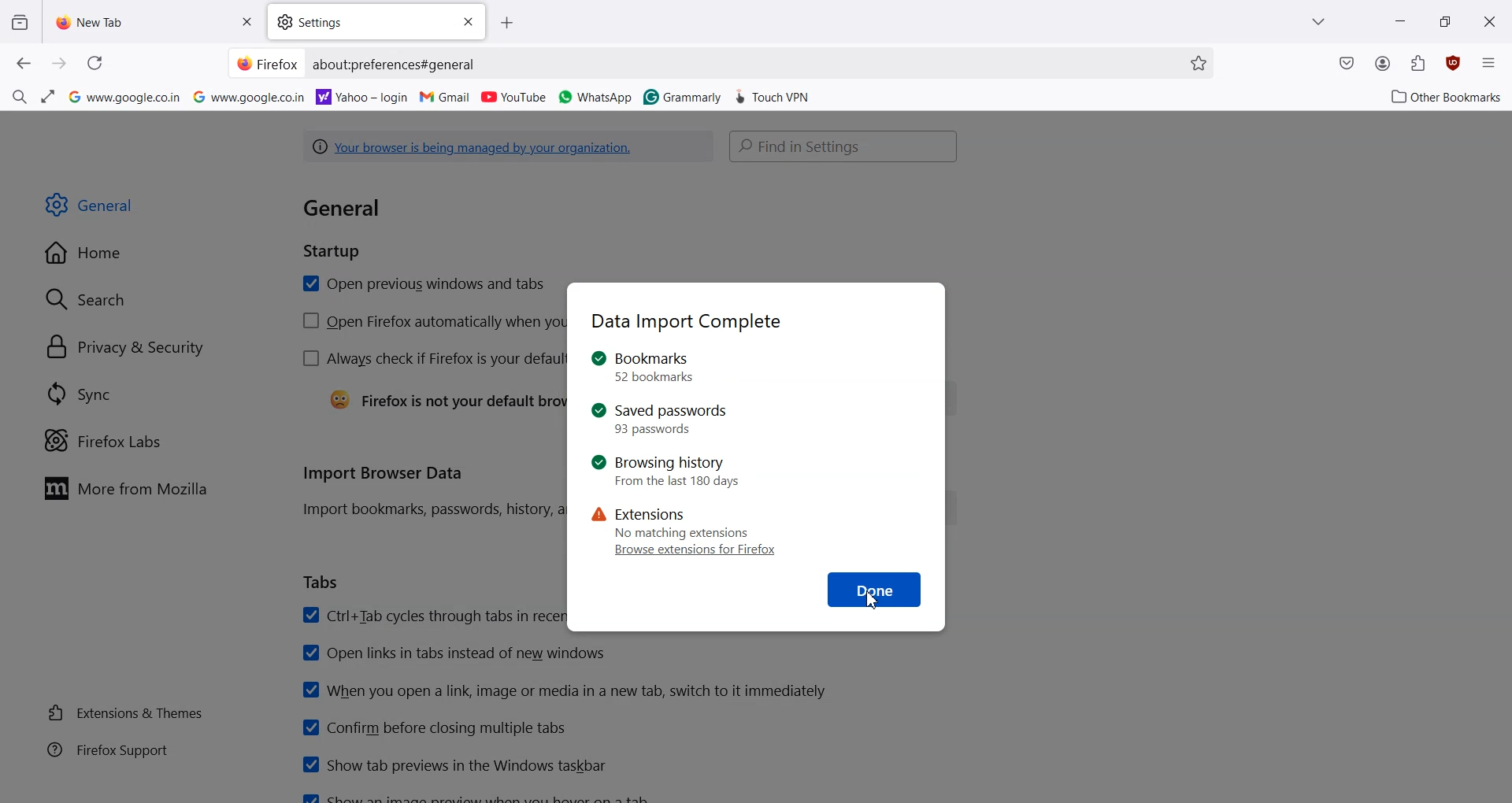 The image size is (1512, 803). Describe the element at coordinates (250, 96) in the screenshot. I see `Google Bookmark` at that location.